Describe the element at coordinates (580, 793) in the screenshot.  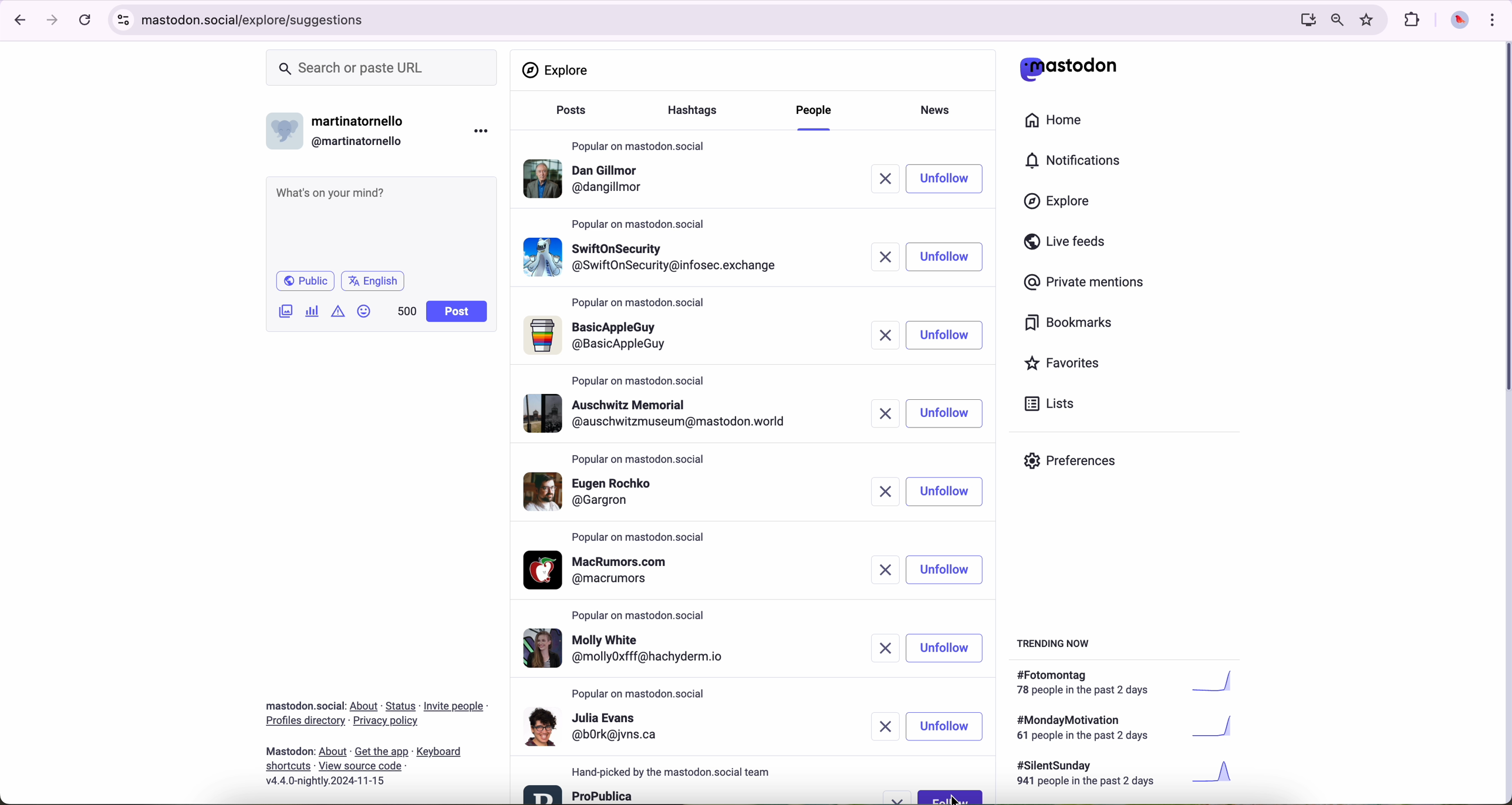
I see `profile` at that location.